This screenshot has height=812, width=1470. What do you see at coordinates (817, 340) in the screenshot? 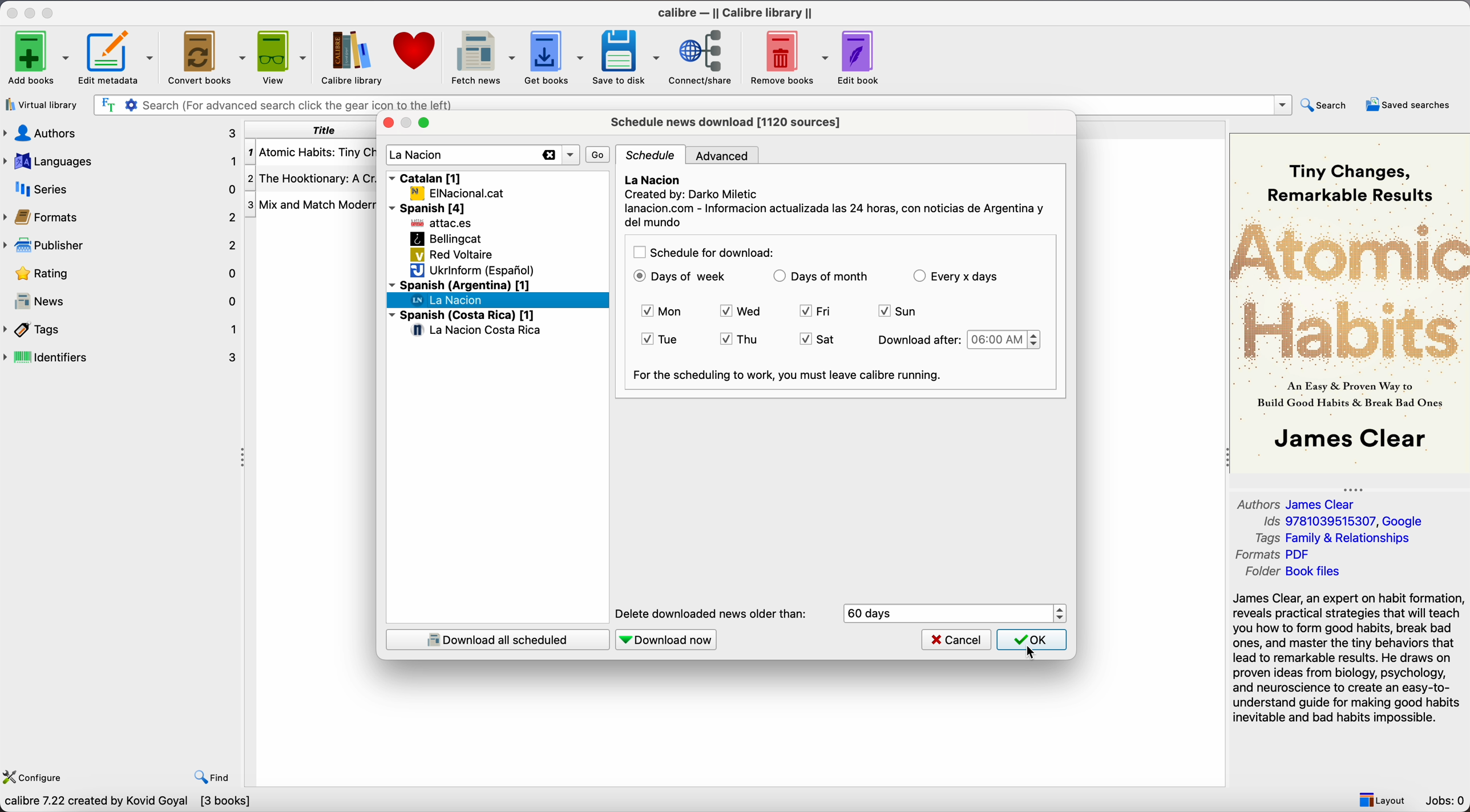
I see `sat` at bounding box center [817, 340].